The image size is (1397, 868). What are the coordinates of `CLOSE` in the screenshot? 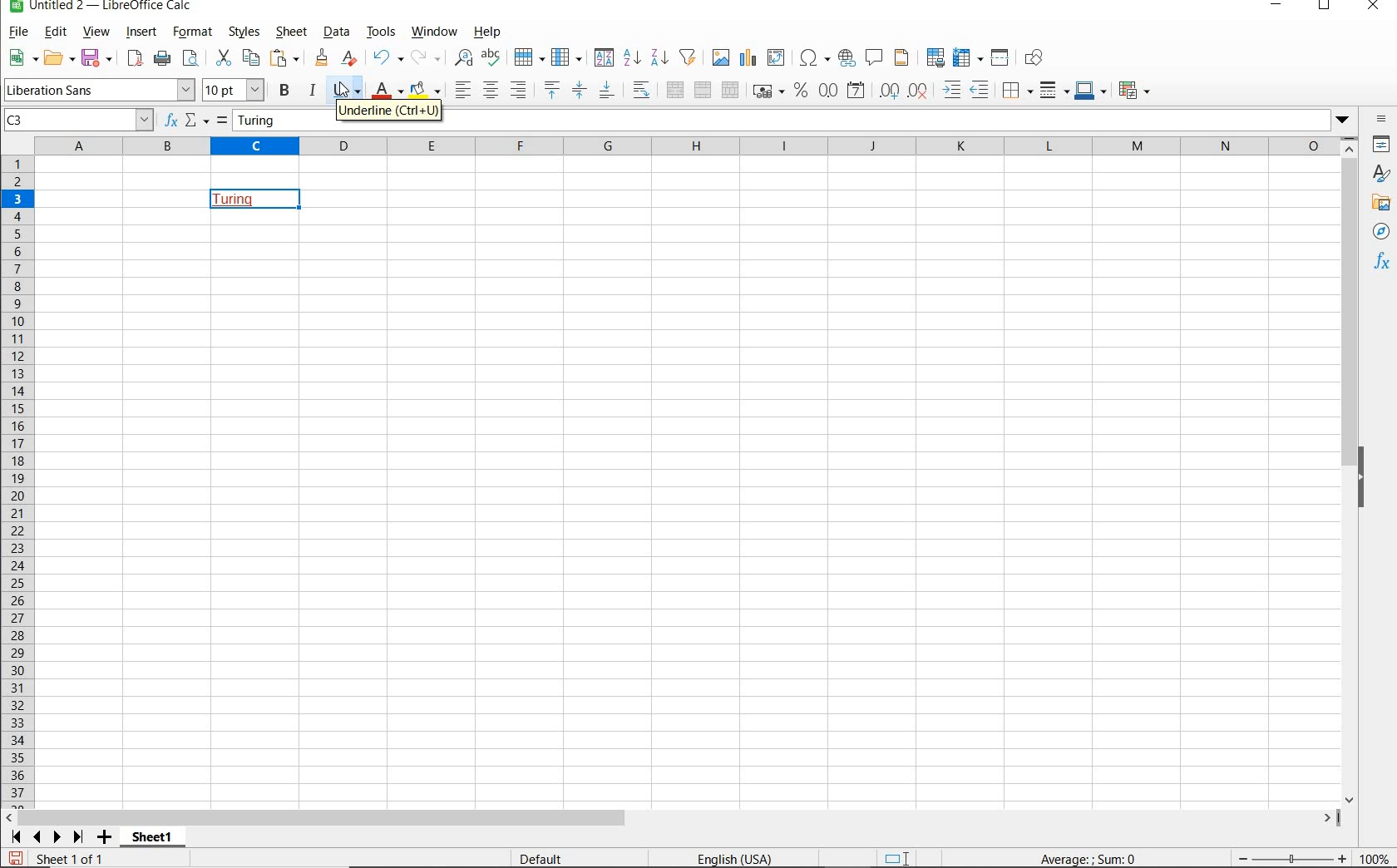 It's located at (1376, 7).